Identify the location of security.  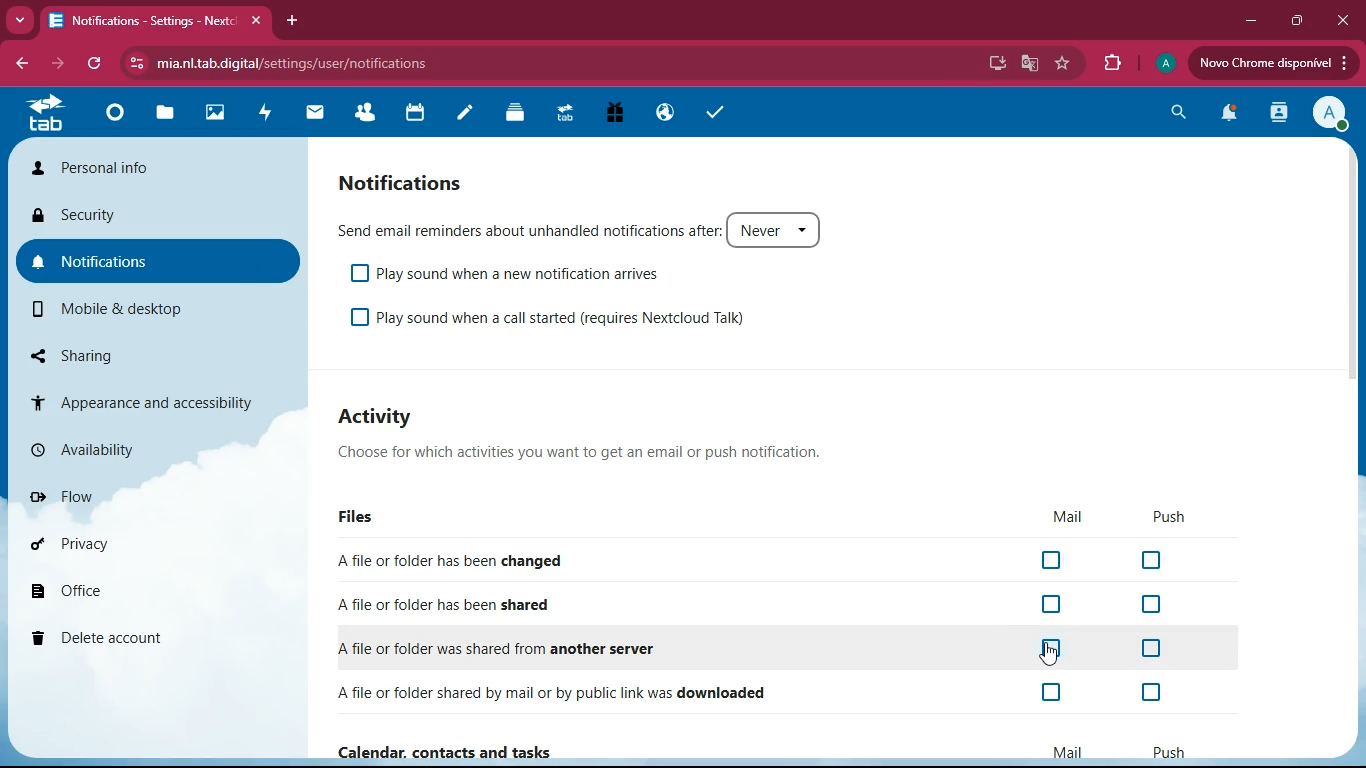
(149, 217).